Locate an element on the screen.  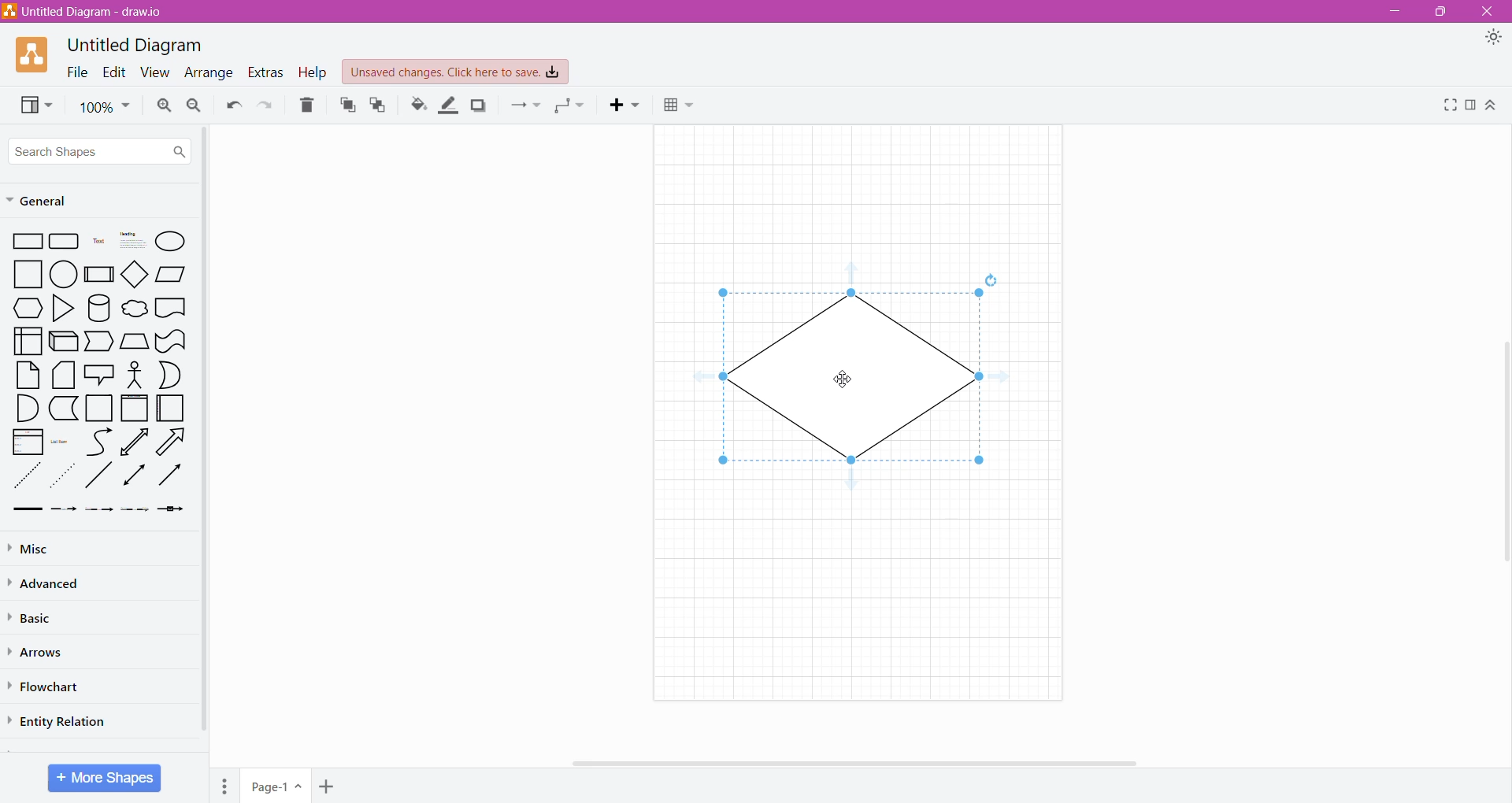
Flowchart is located at coordinates (50, 687).